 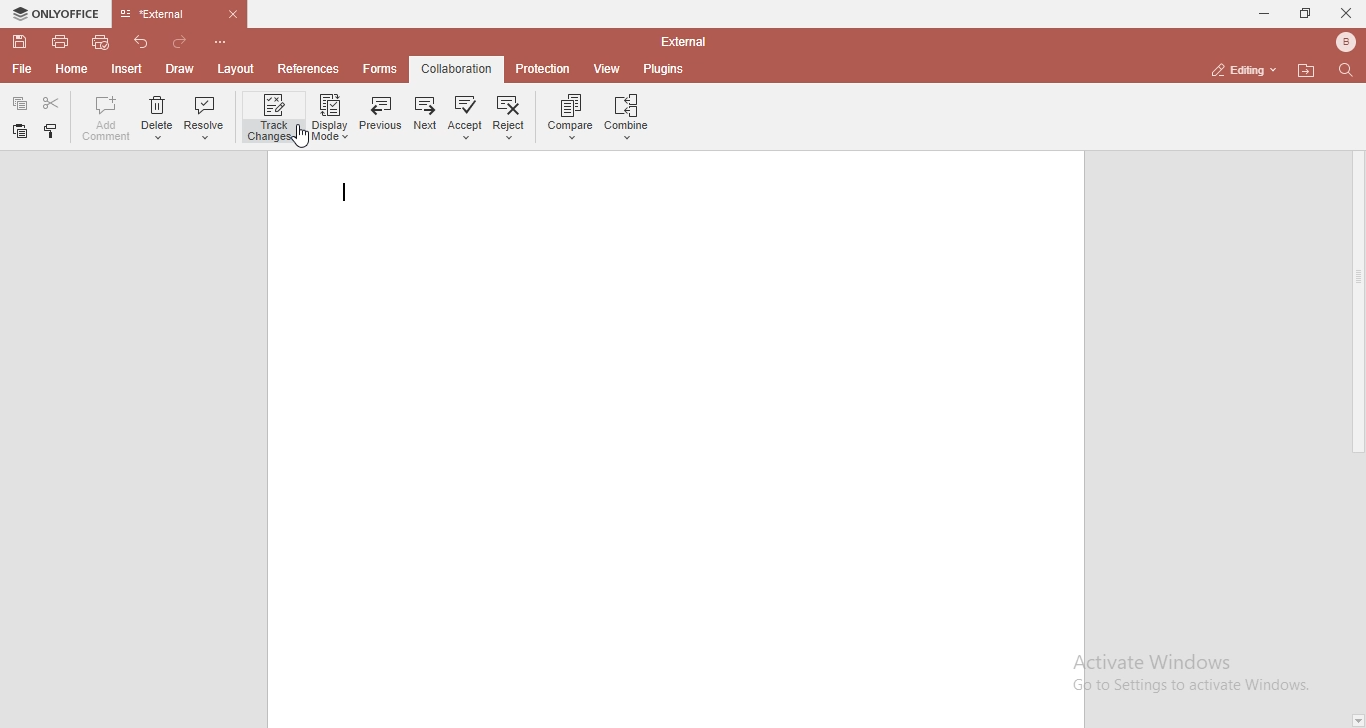 I want to click on draw, so click(x=181, y=68).